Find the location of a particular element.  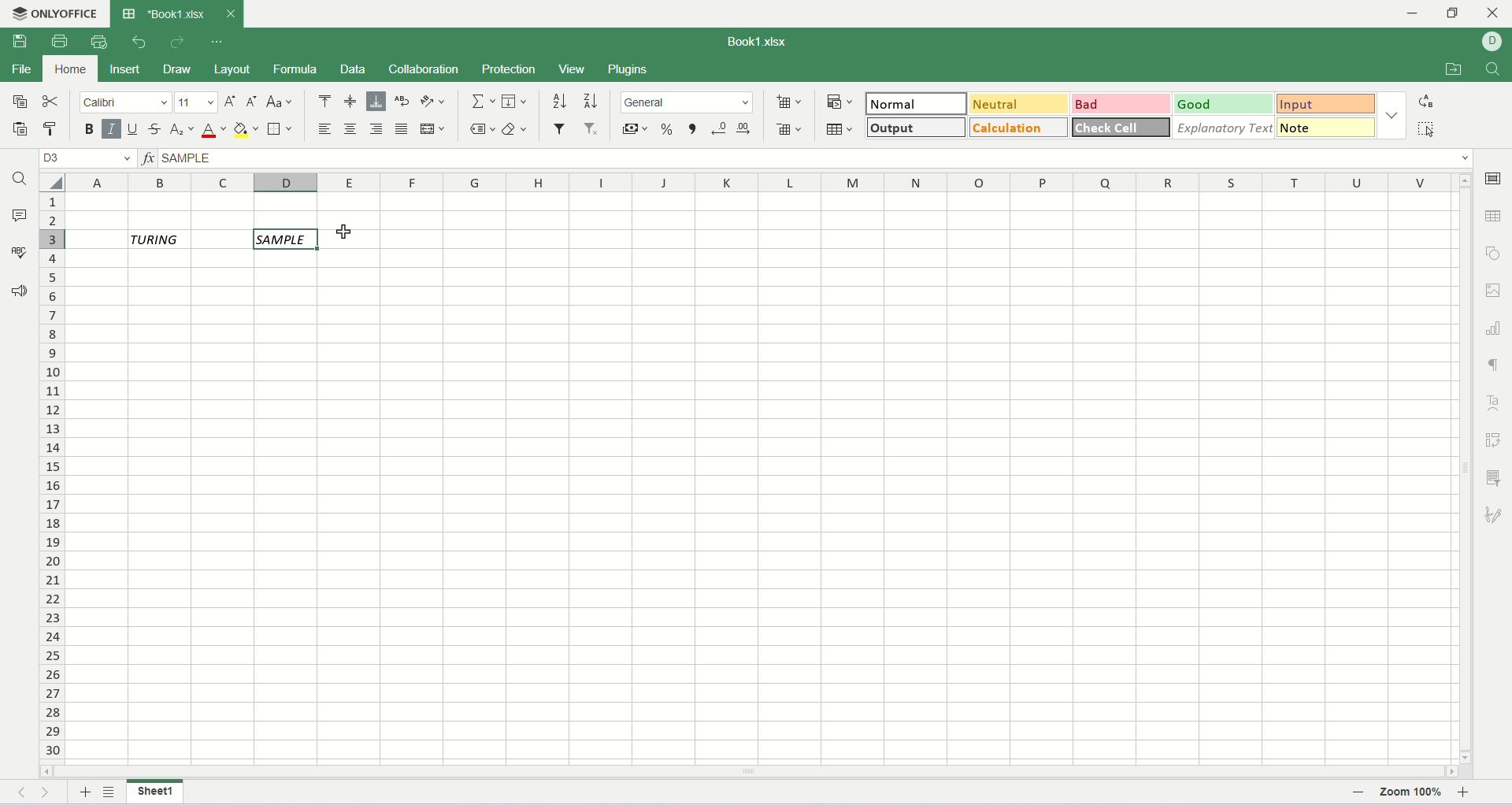

subscript is located at coordinates (183, 130).